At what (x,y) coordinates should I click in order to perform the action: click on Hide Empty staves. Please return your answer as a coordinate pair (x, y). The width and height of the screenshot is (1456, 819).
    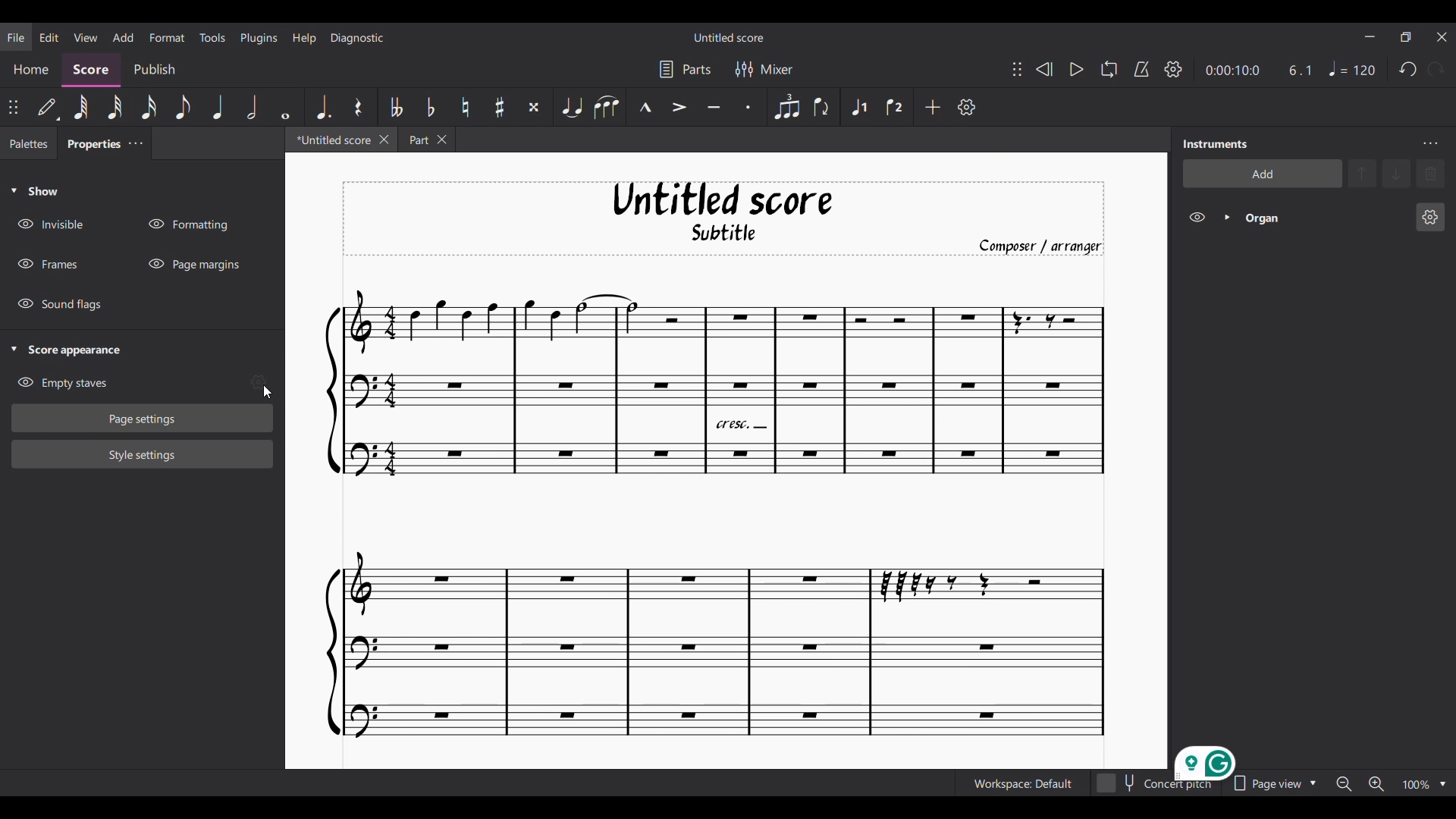
    Looking at the image, I should click on (62, 383).